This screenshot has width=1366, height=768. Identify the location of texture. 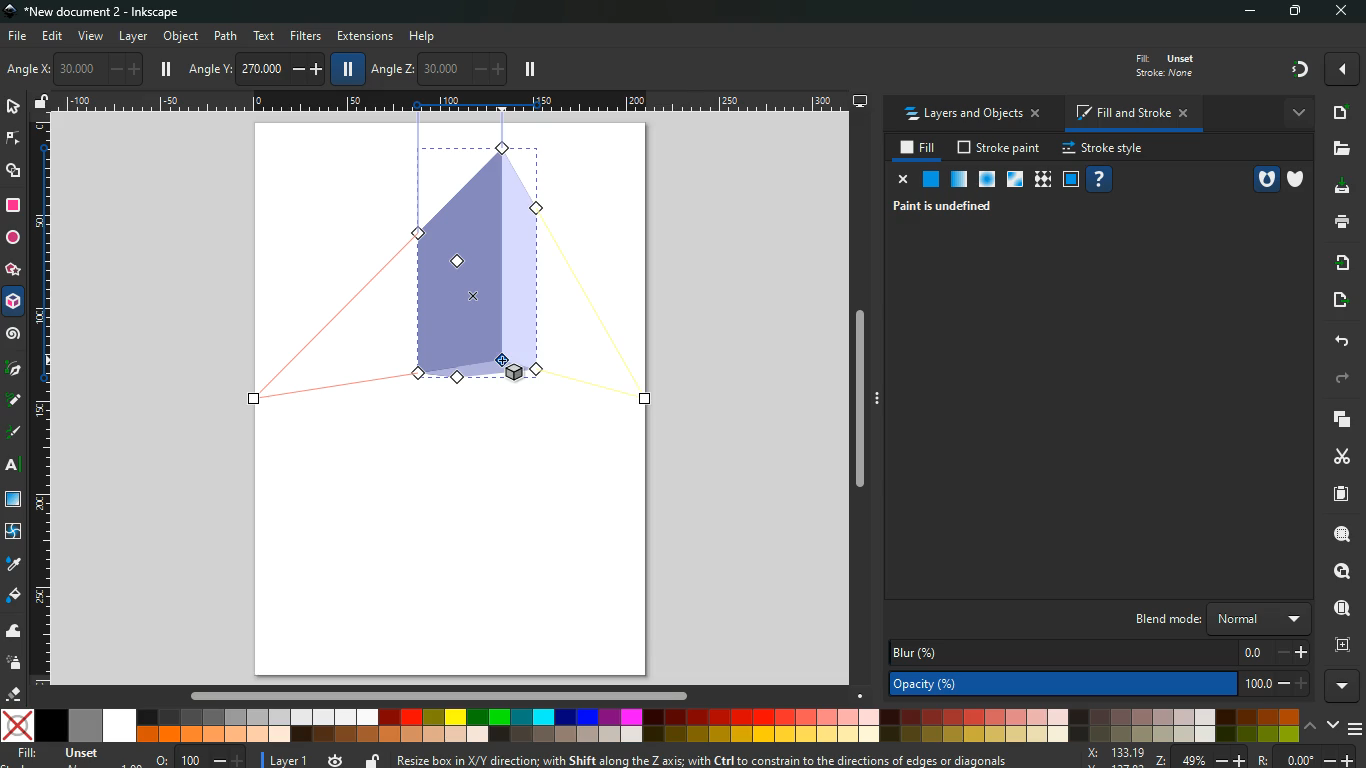
(1042, 182).